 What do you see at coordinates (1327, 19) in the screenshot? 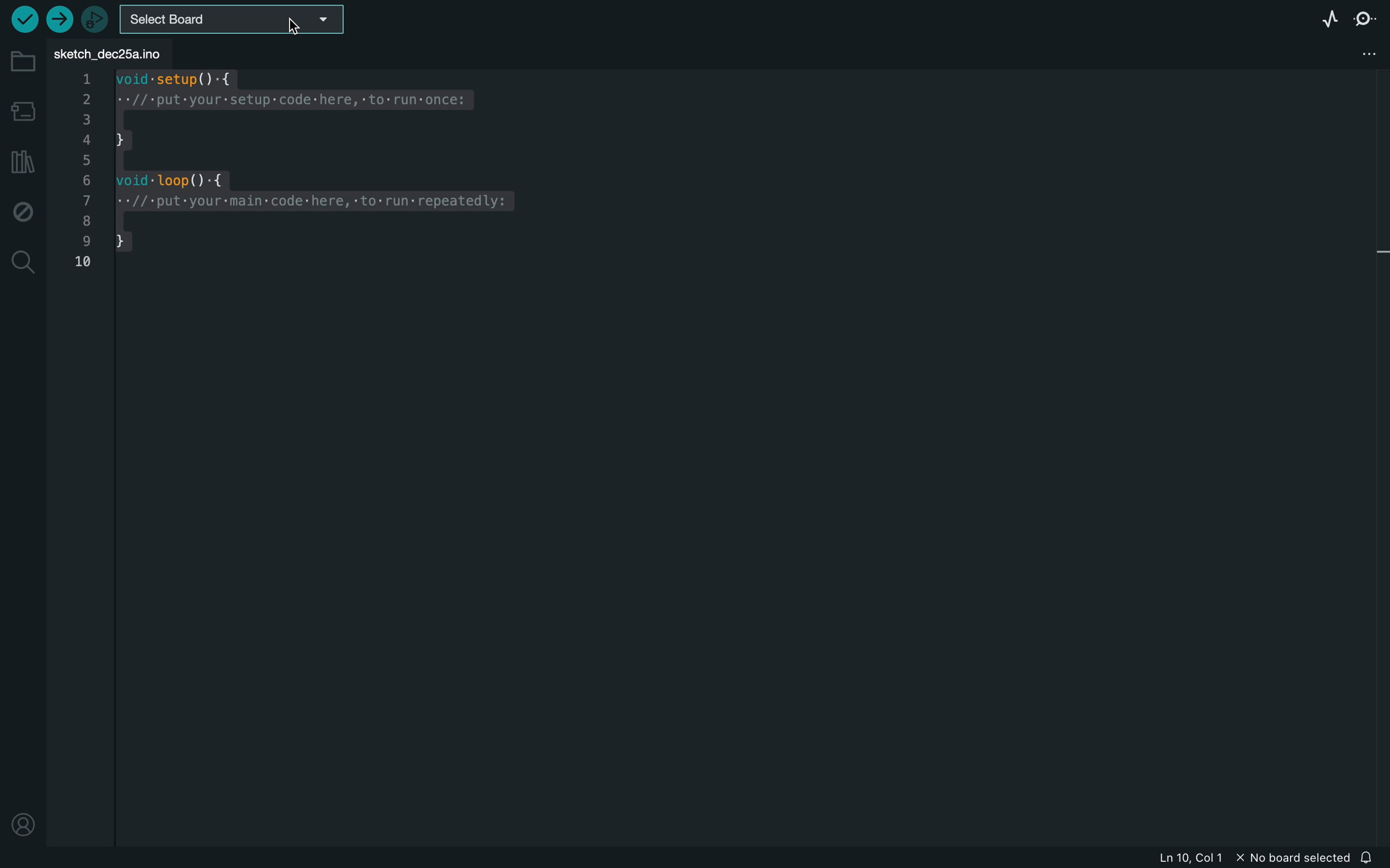
I see `serial plotter` at bounding box center [1327, 19].